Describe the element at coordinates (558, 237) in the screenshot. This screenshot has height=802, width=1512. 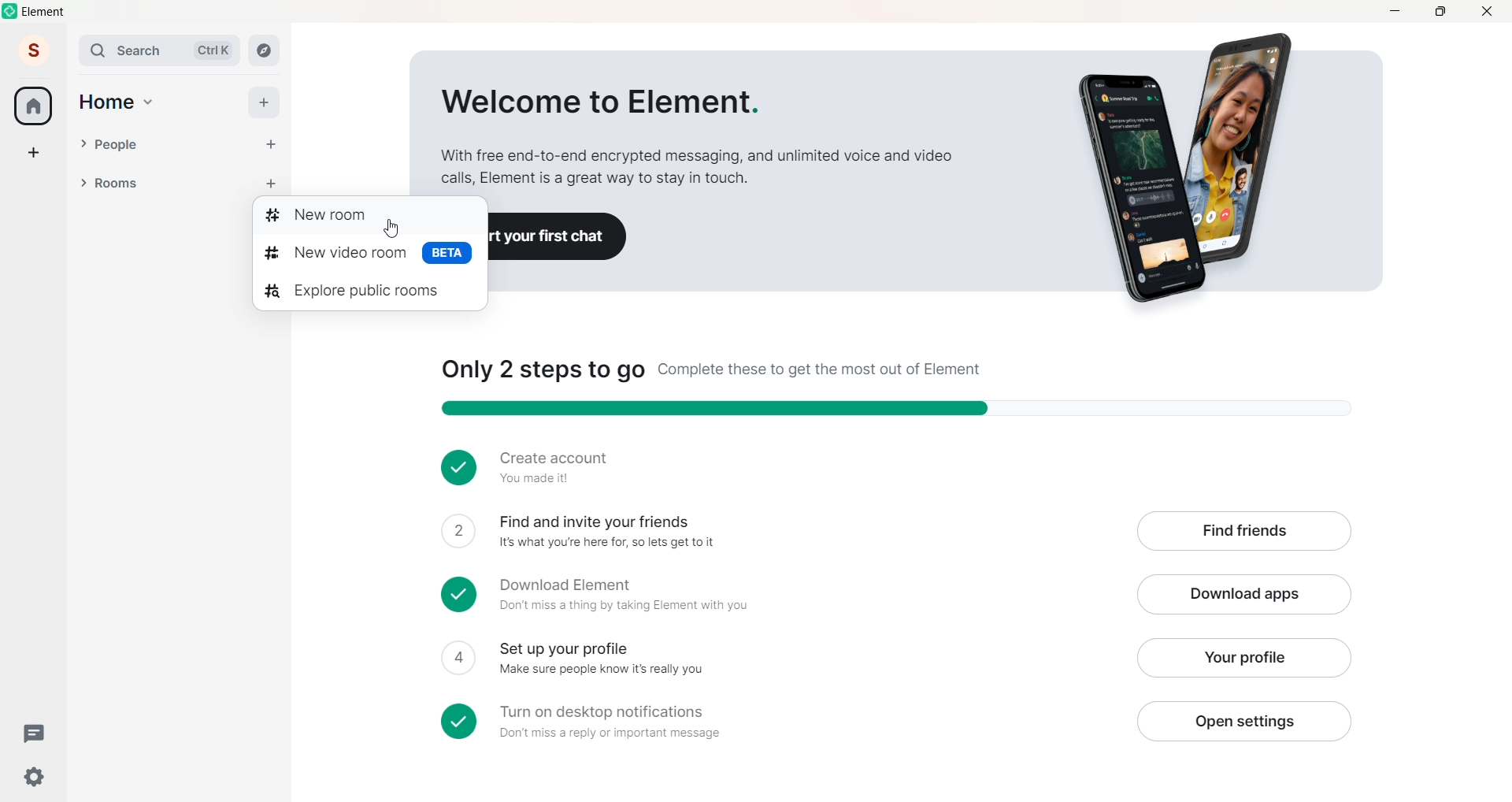
I see `Start your first chat` at that location.